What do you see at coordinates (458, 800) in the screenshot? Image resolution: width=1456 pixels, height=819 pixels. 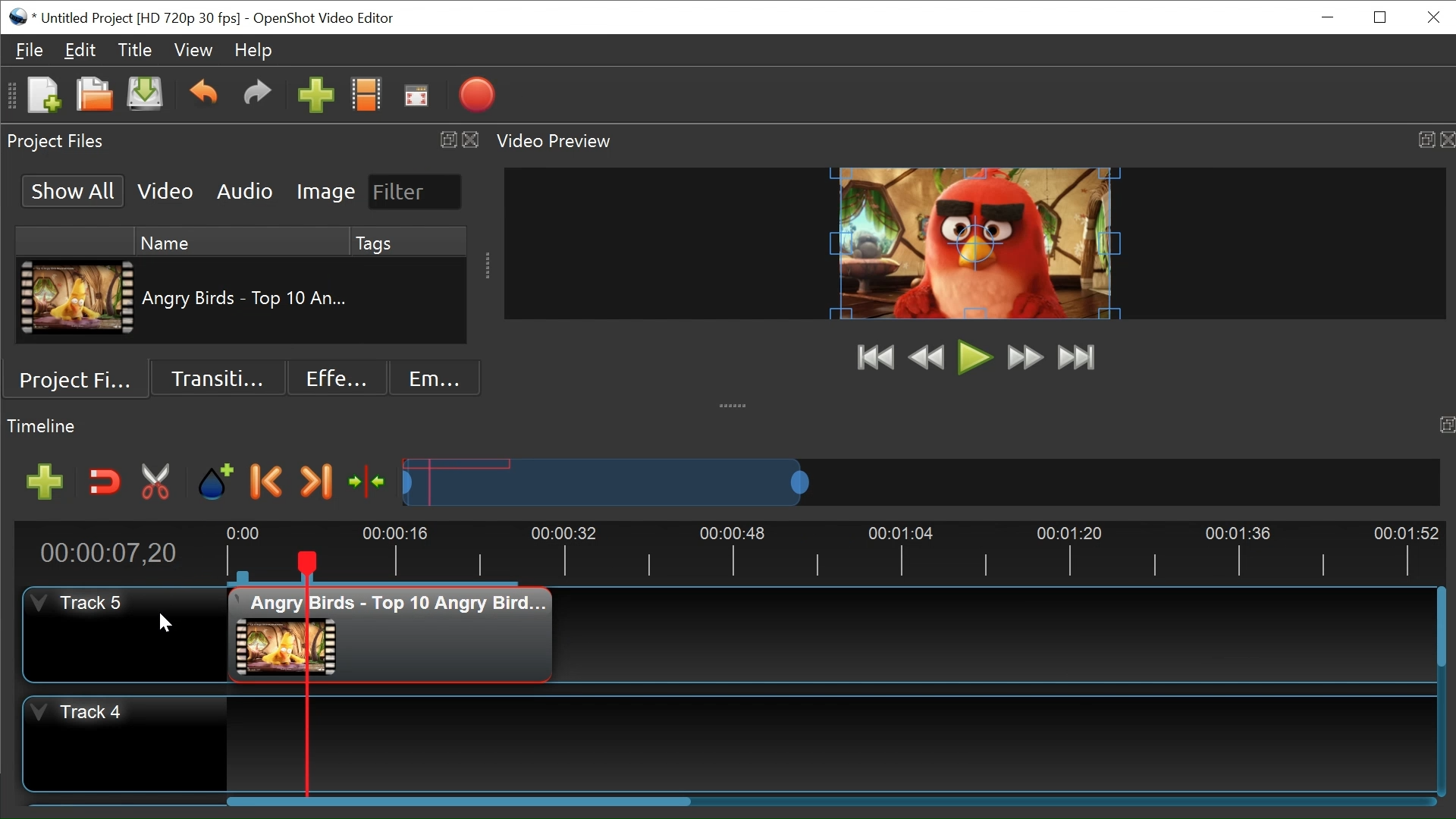 I see `Horizontal Scroll bar` at bounding box center [458, 800].